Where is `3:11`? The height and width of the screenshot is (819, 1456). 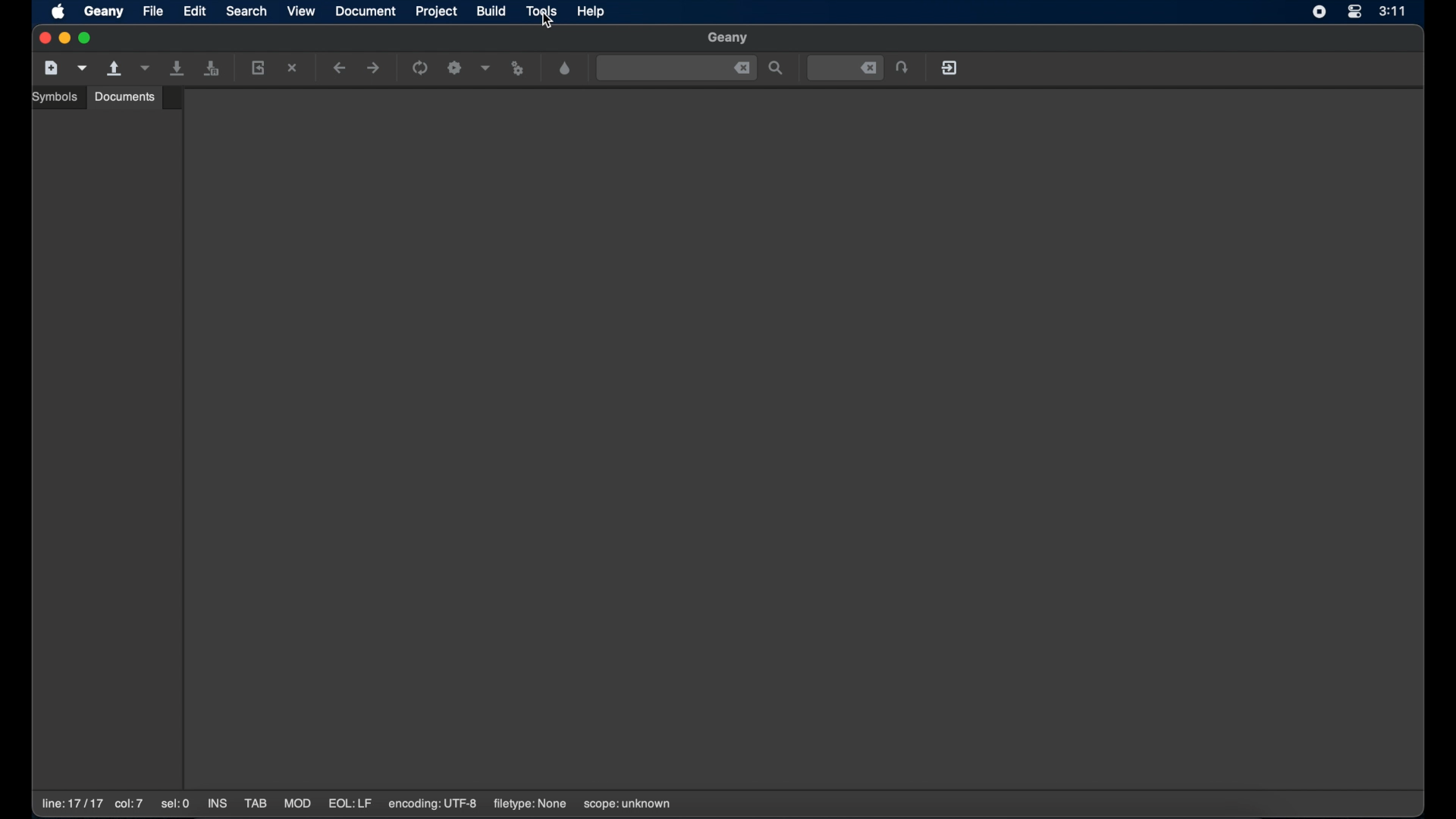
3:11 is located at coordinates (1393, 11).